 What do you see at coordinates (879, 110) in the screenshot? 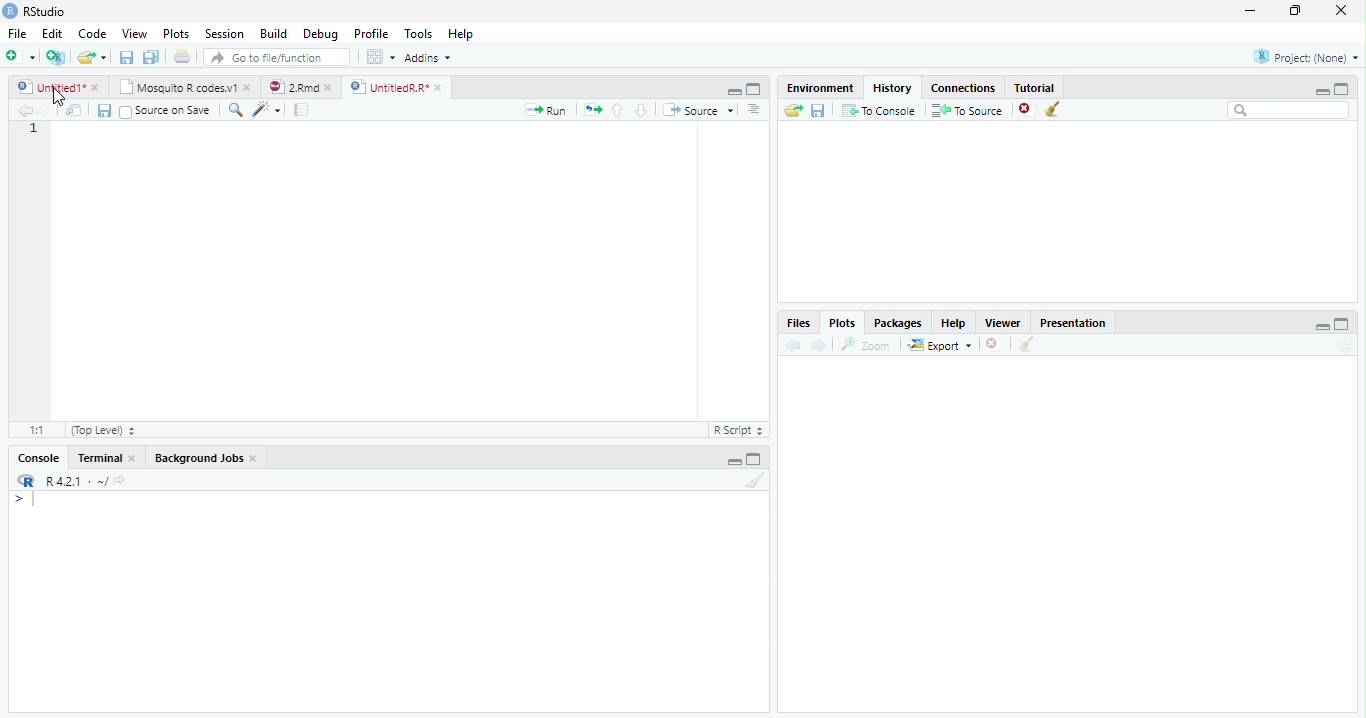
I see `To Console` at bounding box center [879, 110].